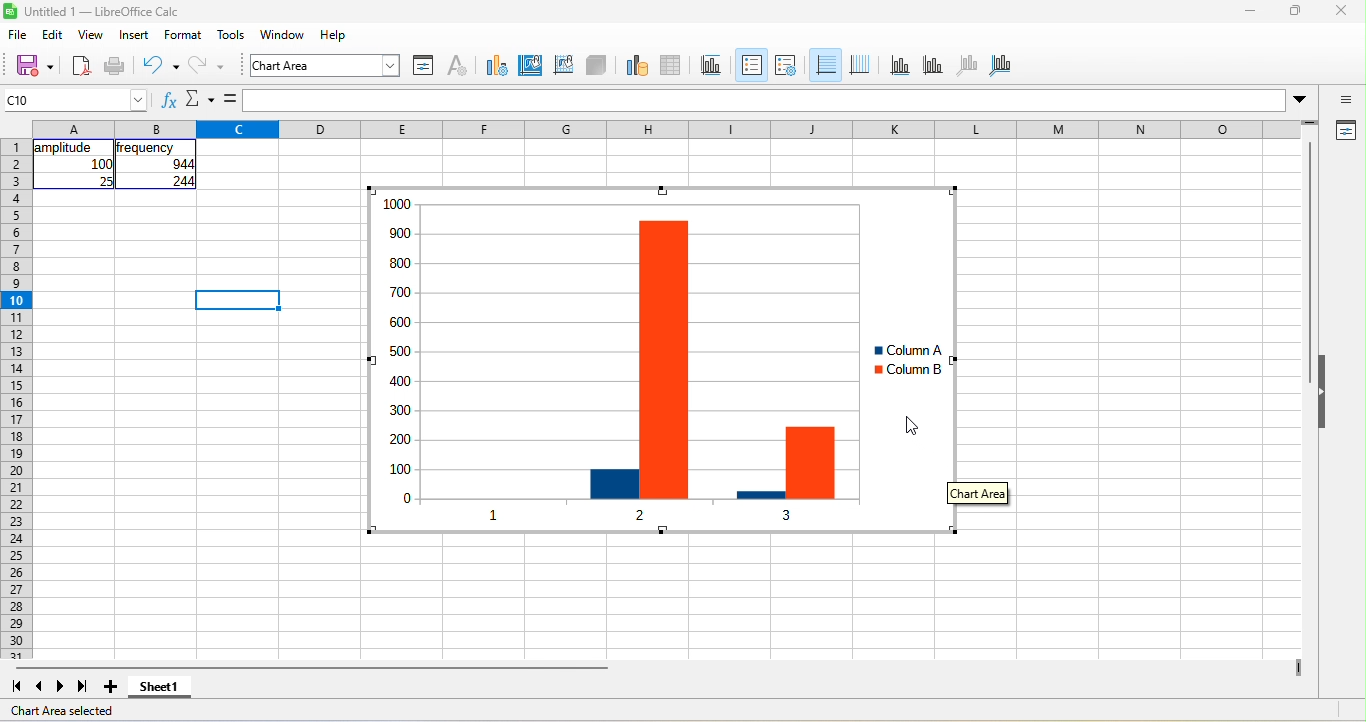 This screenshot has width=1366, height=722. Describe the element at coordinates (860, 66) in the screenshot. I see `vertical grids` at that location.